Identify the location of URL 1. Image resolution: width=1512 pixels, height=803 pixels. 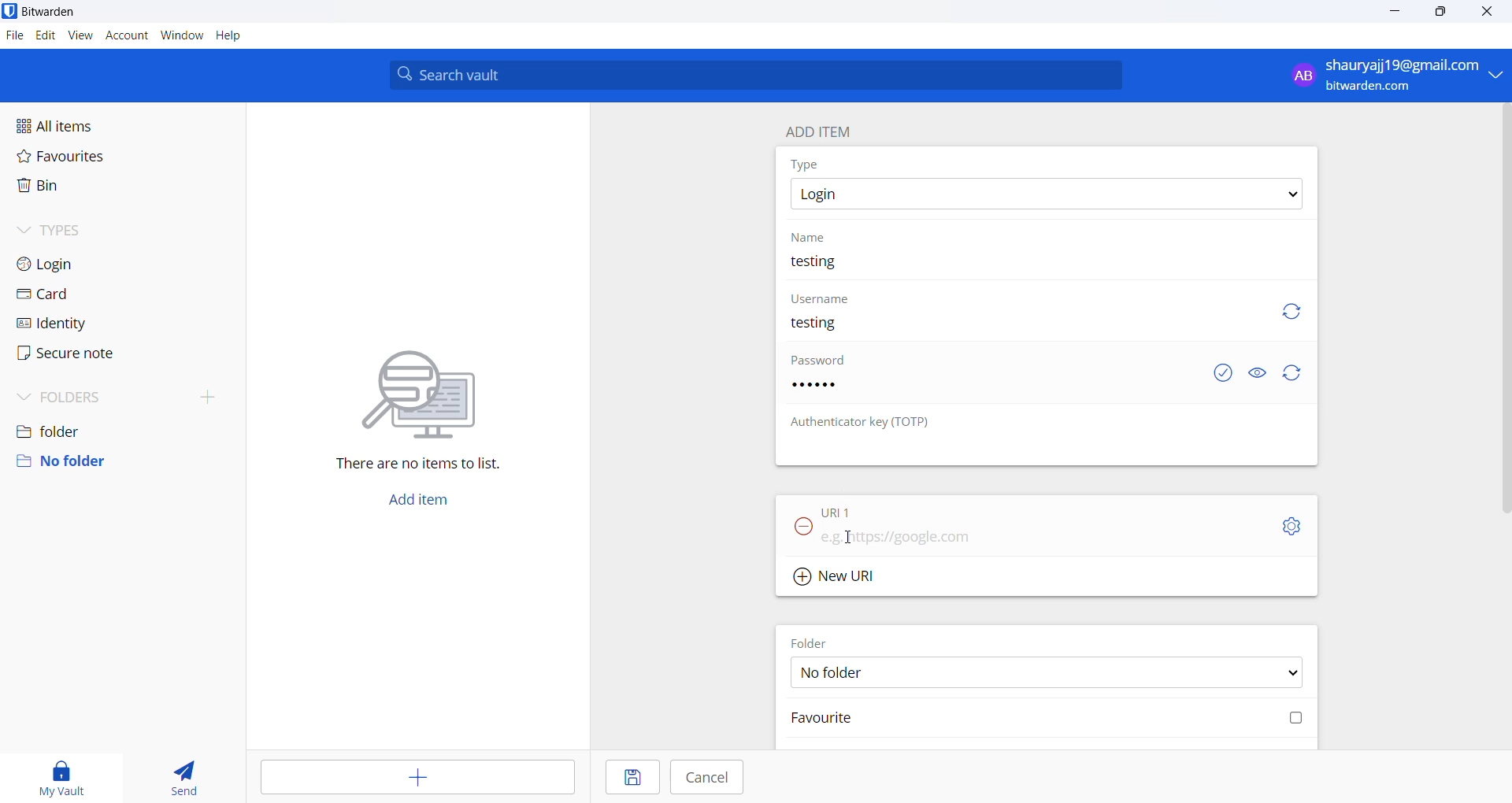
(865, 511).